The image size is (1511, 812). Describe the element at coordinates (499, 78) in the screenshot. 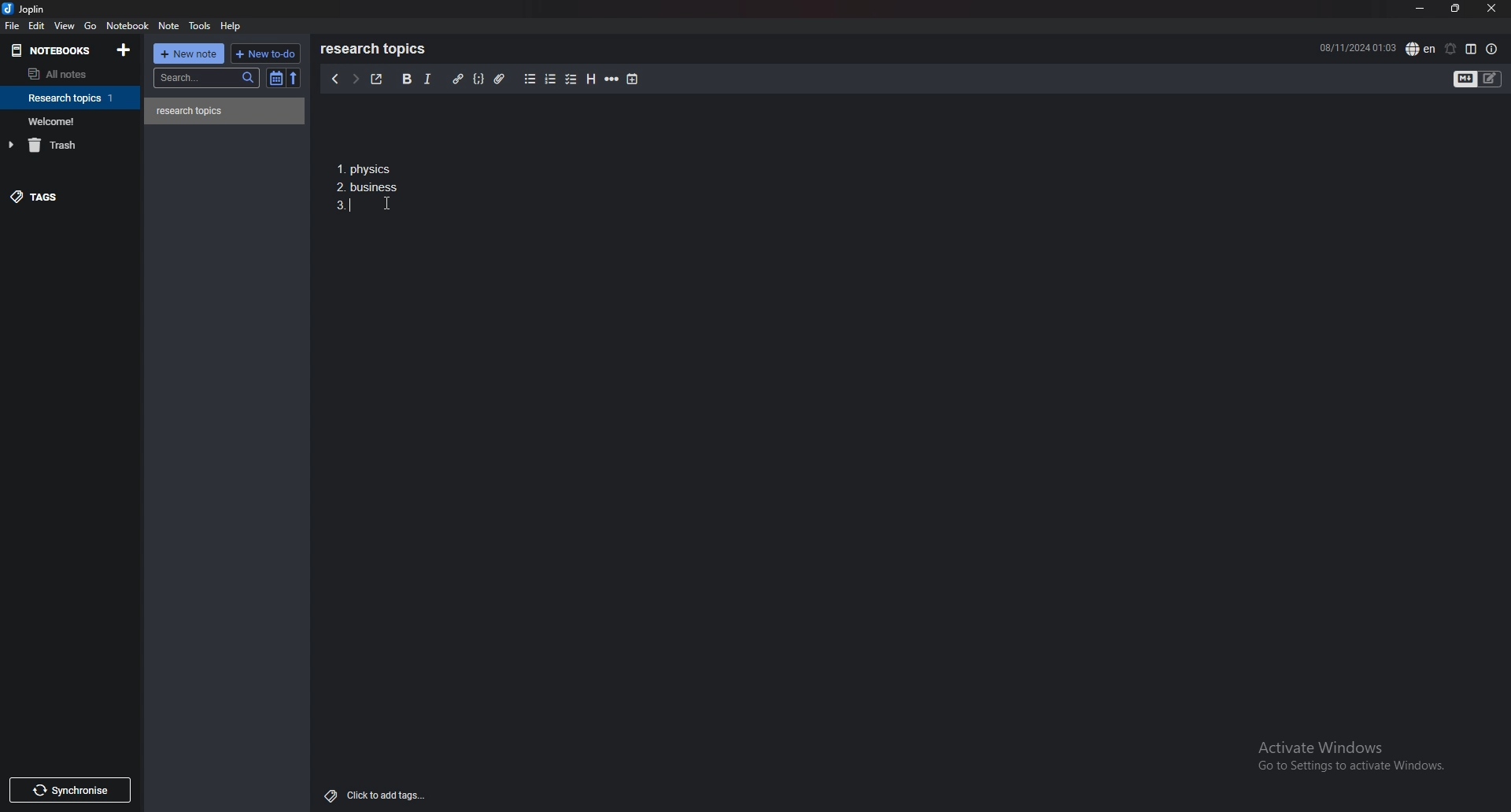

I see `attachment` at that location.